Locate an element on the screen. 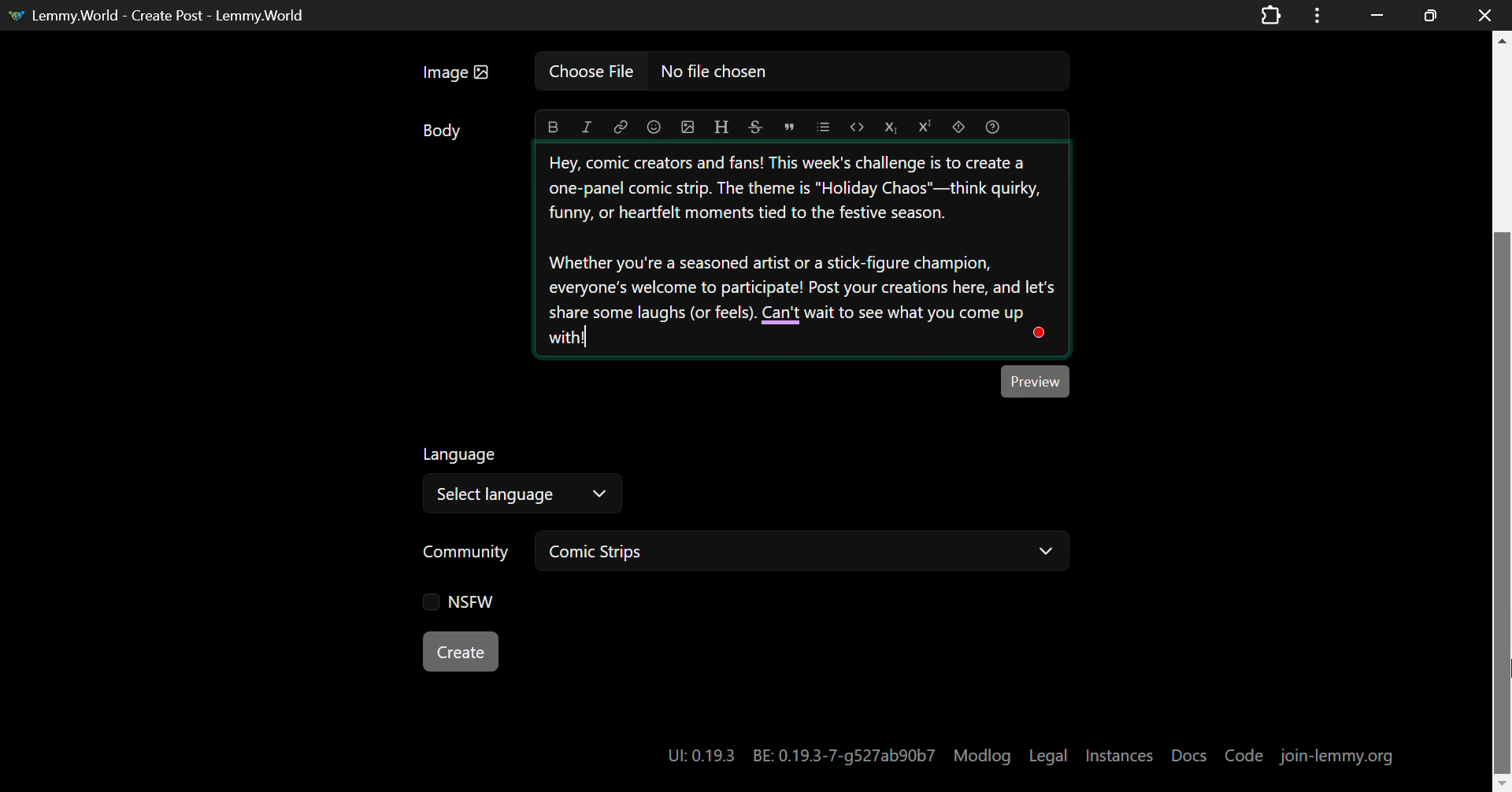 This screenshot has width=1512, height=792. Select Language is located at coordinates (525, 493).